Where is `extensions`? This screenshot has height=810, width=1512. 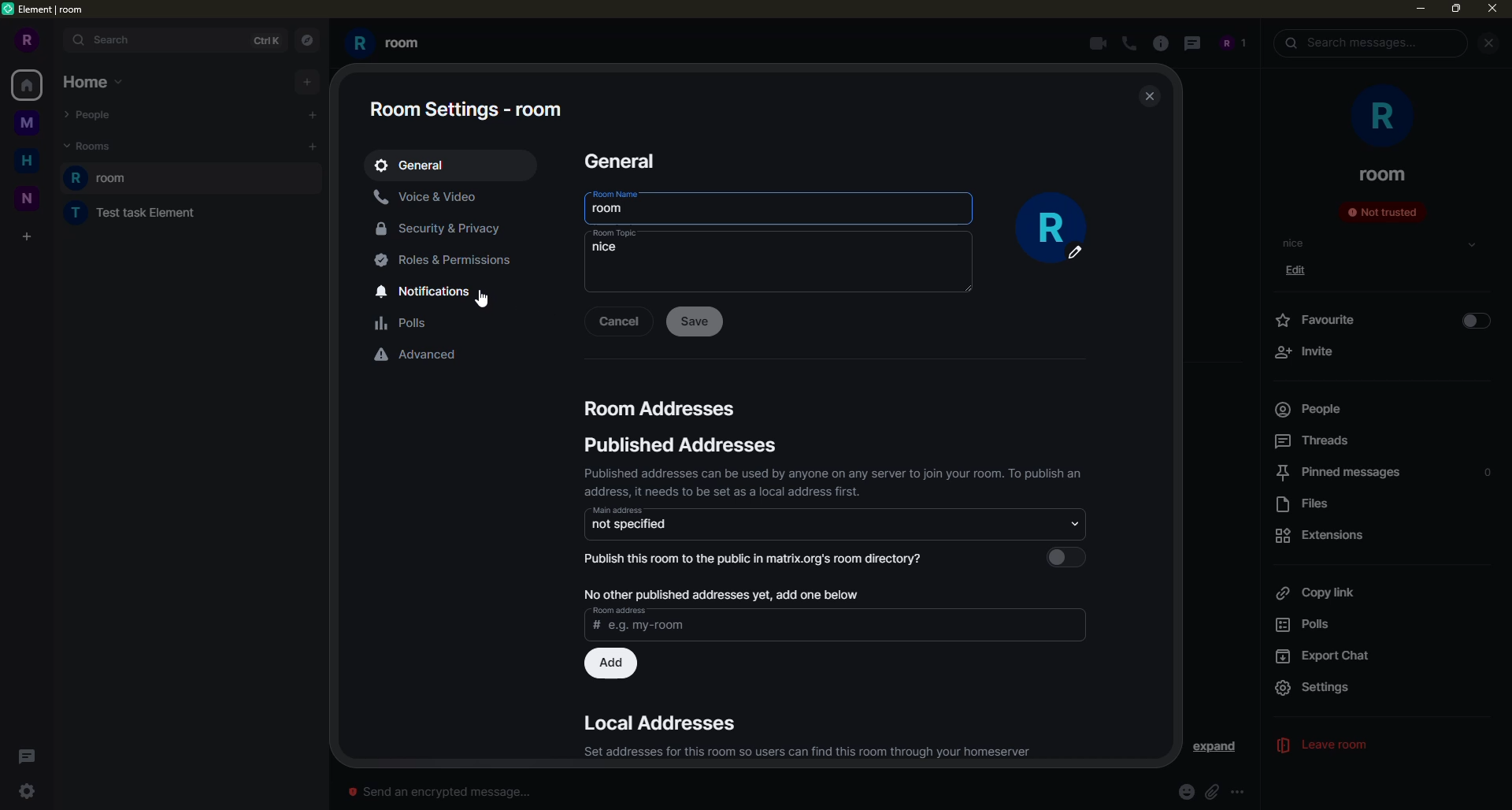
extensions is located at coordinates (1323, 535).